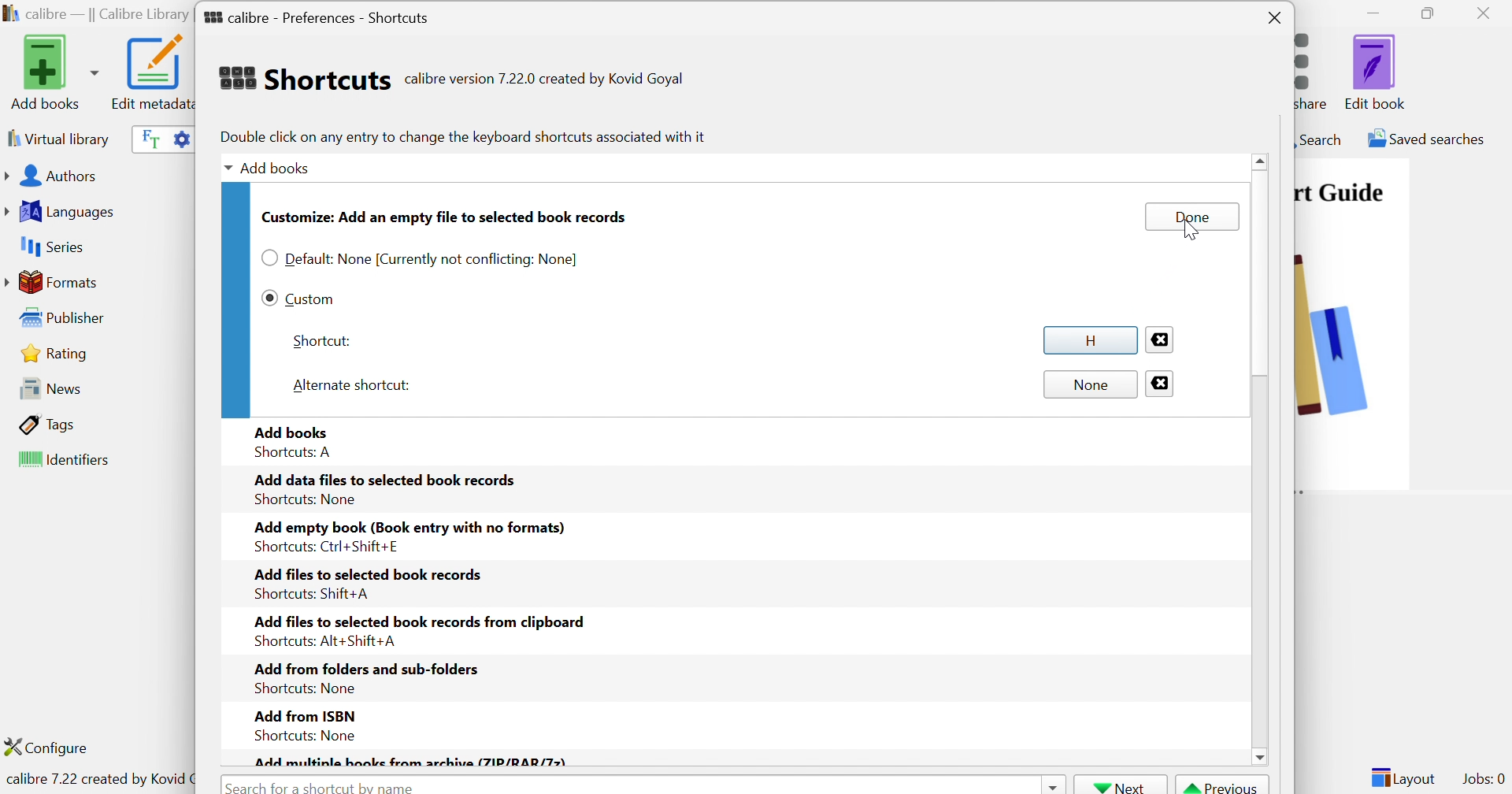 Image resolution: width=1512 pixels, height=794 pixels. What do you see at coordinates (269, 297) in the screenshot?
I see `Checkbox` at bounding box center [269, 297].